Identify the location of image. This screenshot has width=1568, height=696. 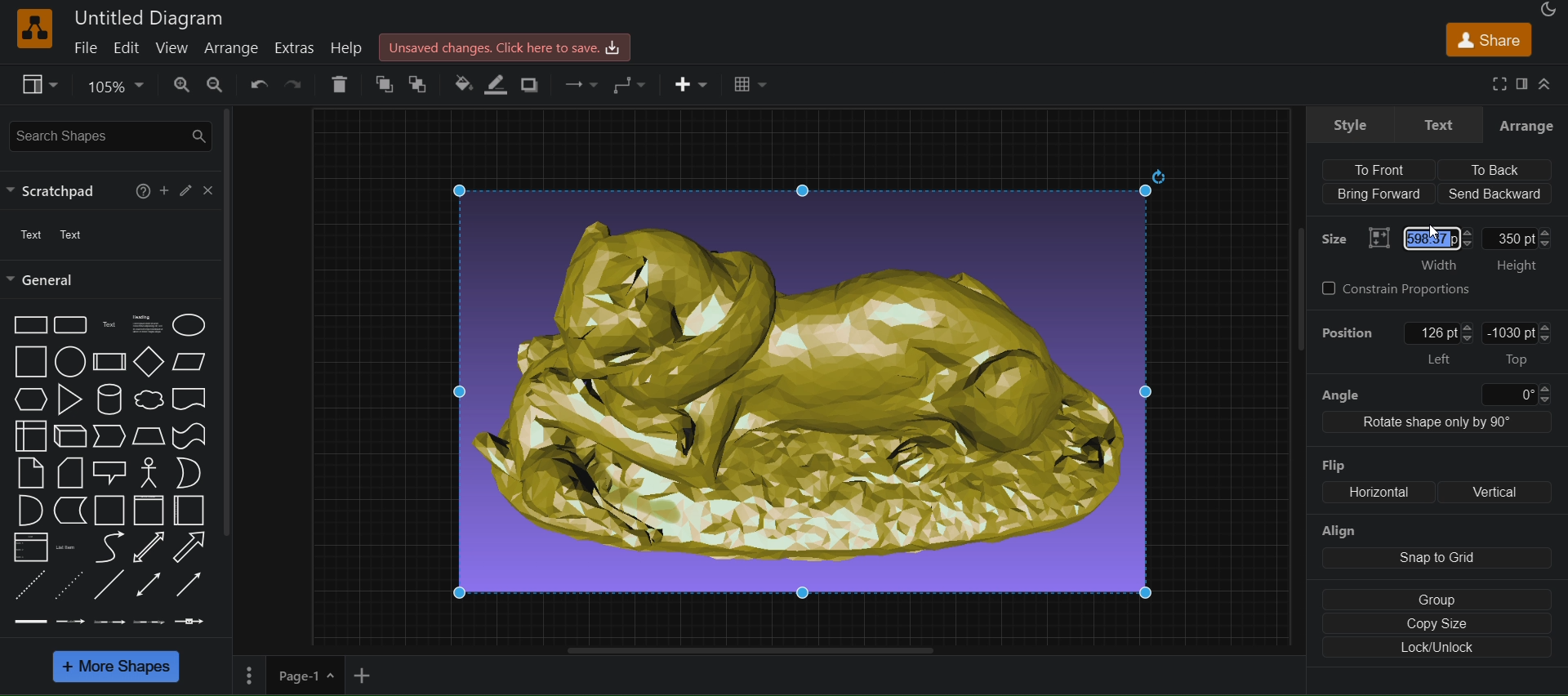
(809, 386).